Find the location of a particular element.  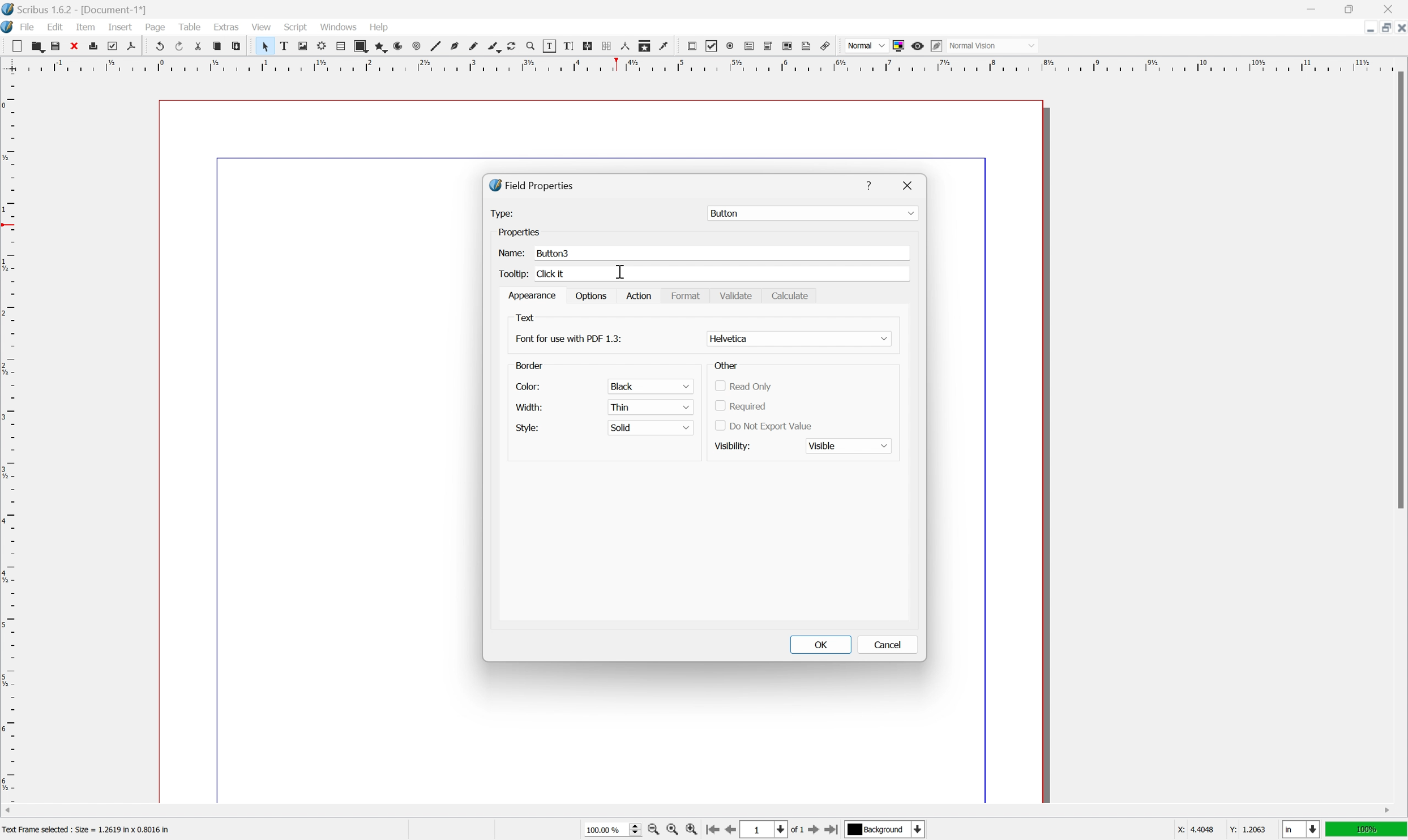

rotate item is located at coordinates (512, 47).